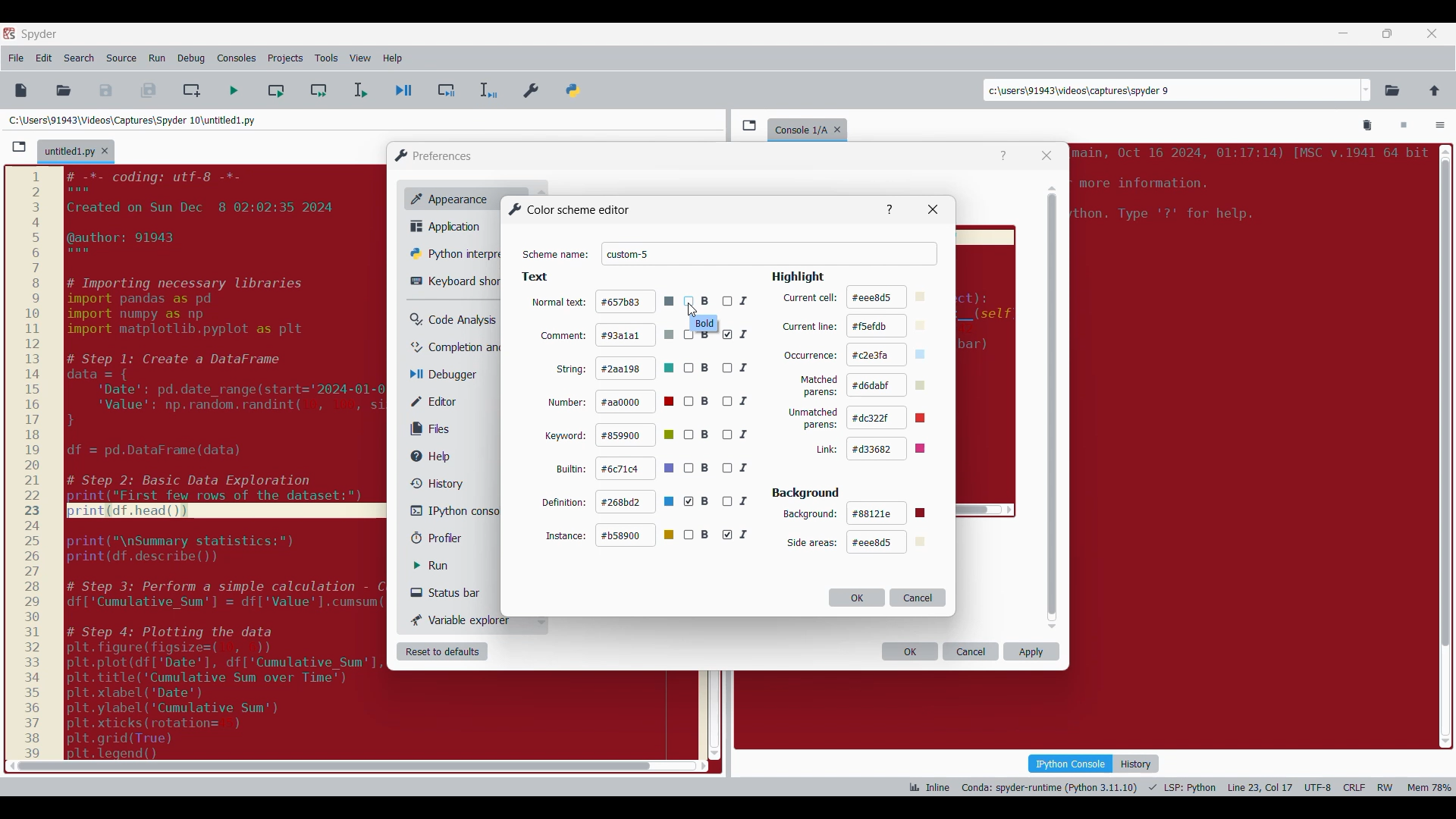 This screenshot has height=819, width=1456. Describe the element at coordinates (564, 501) in the screenshot. I see `definition` at that location.